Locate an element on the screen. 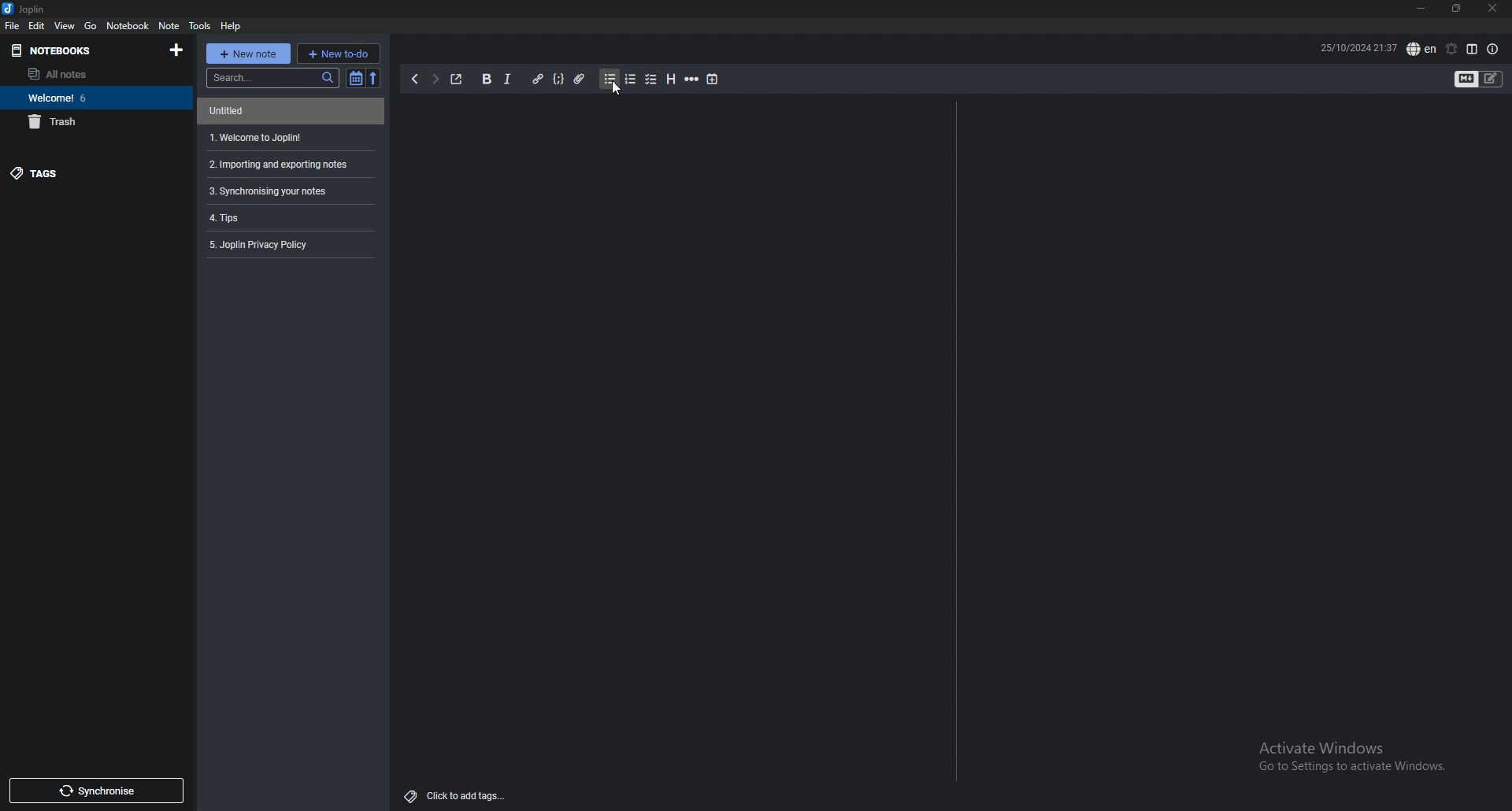  Synchronise is located at coordinates (97, 793).